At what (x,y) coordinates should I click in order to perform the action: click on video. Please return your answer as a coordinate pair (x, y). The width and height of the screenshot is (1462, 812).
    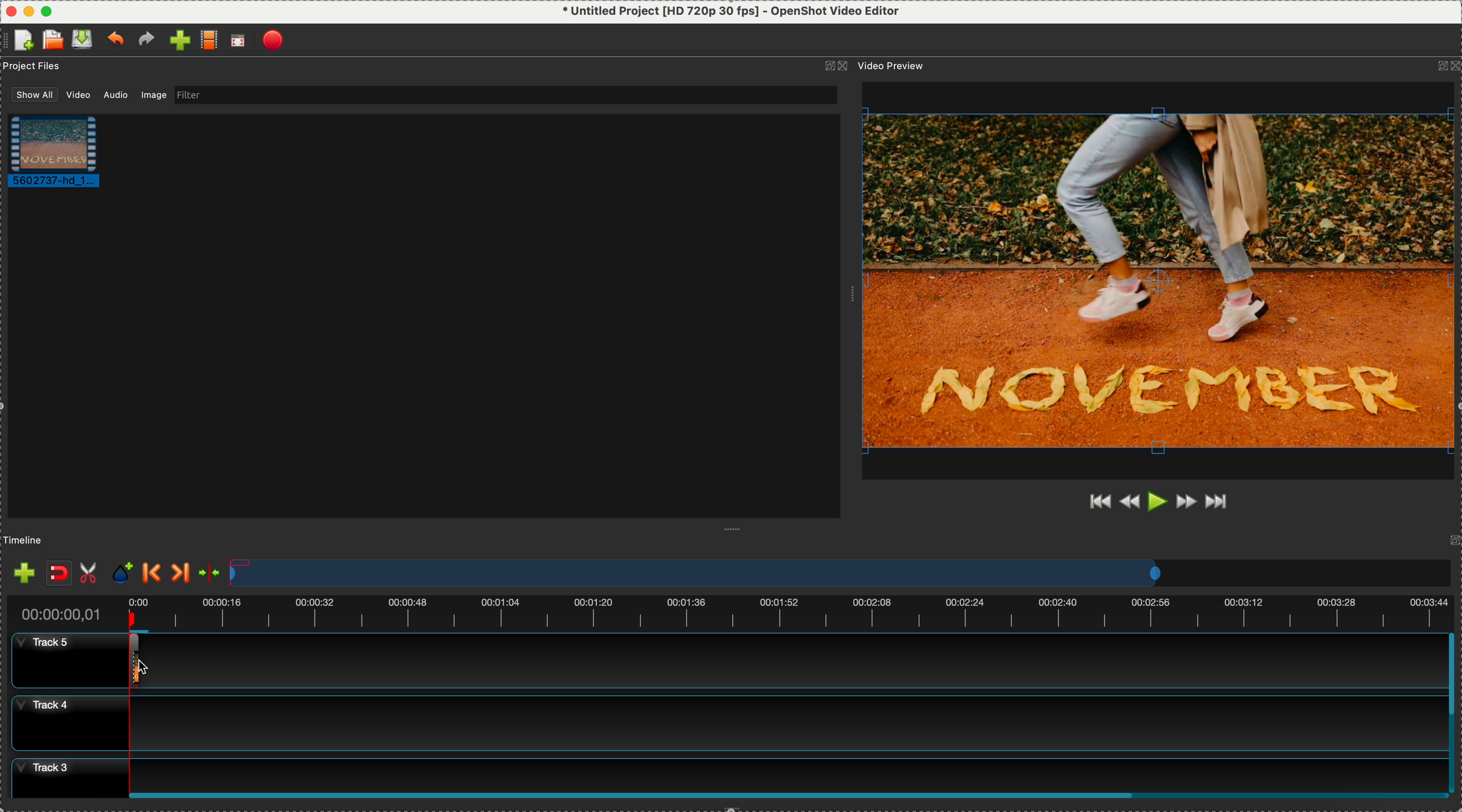
    Looking at the image, I should click on (77, 95).